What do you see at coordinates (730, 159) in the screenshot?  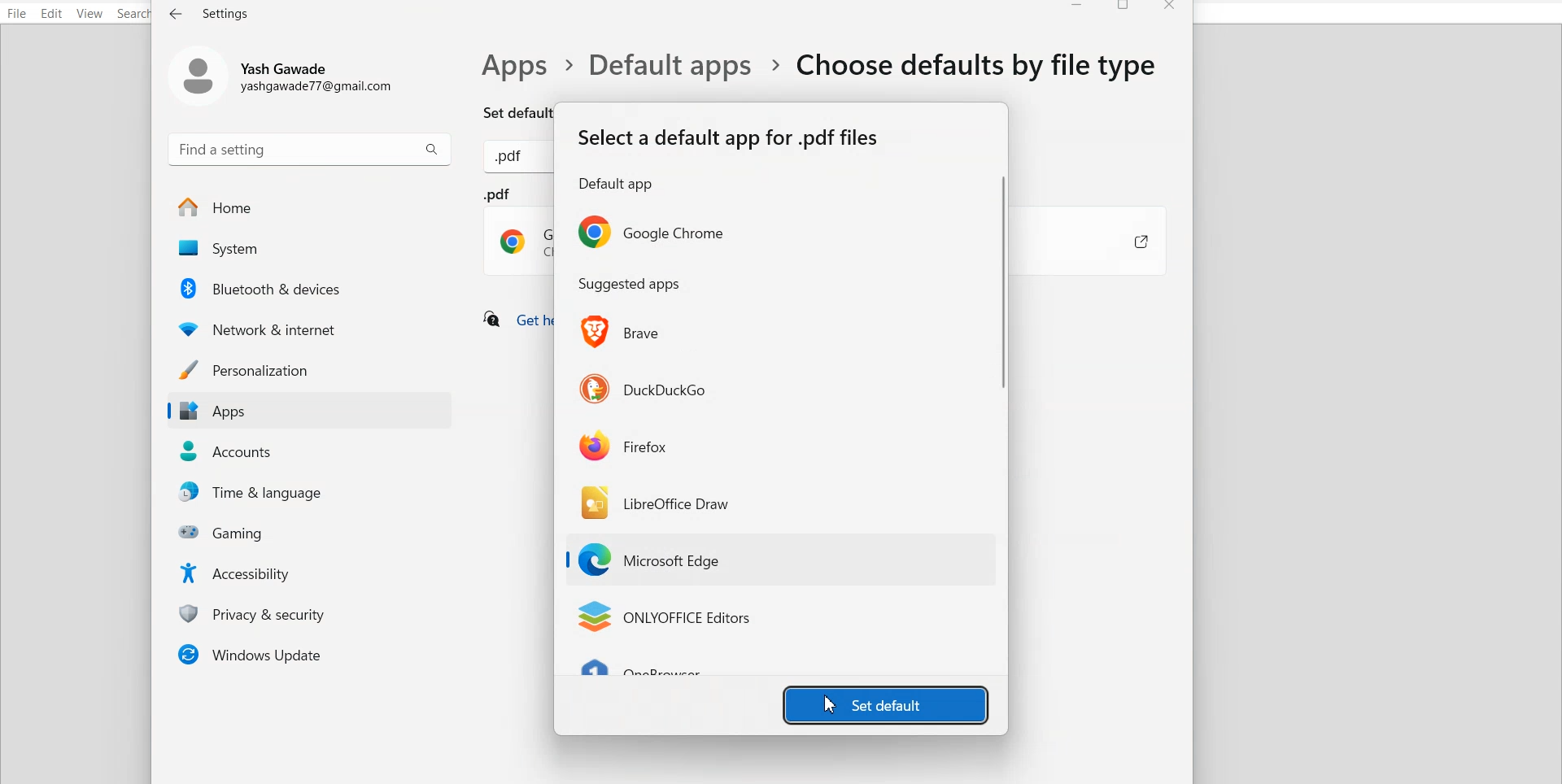 I see `Text` at bounding box center [730, 159].